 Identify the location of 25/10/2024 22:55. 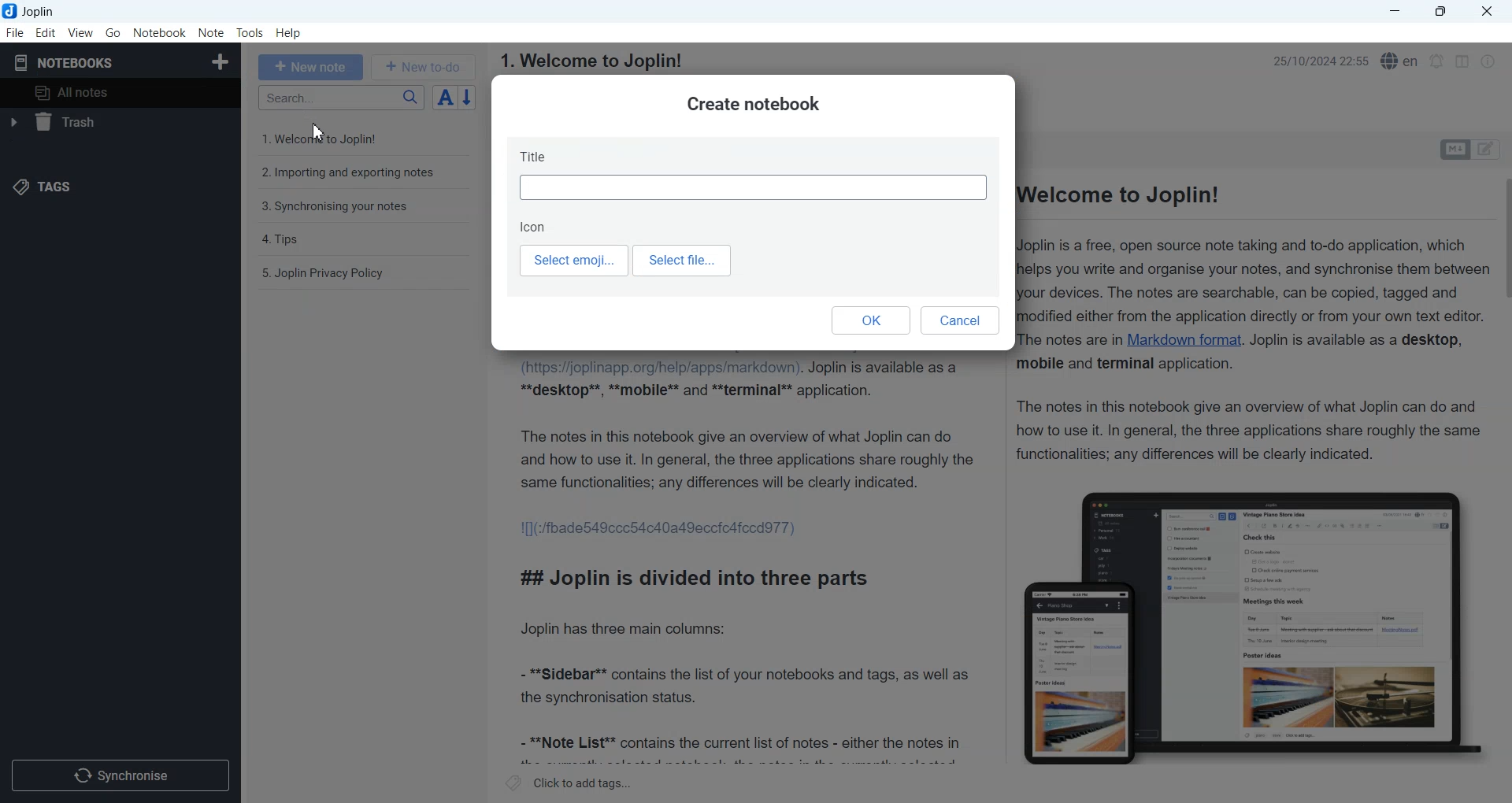
(1316, 59).